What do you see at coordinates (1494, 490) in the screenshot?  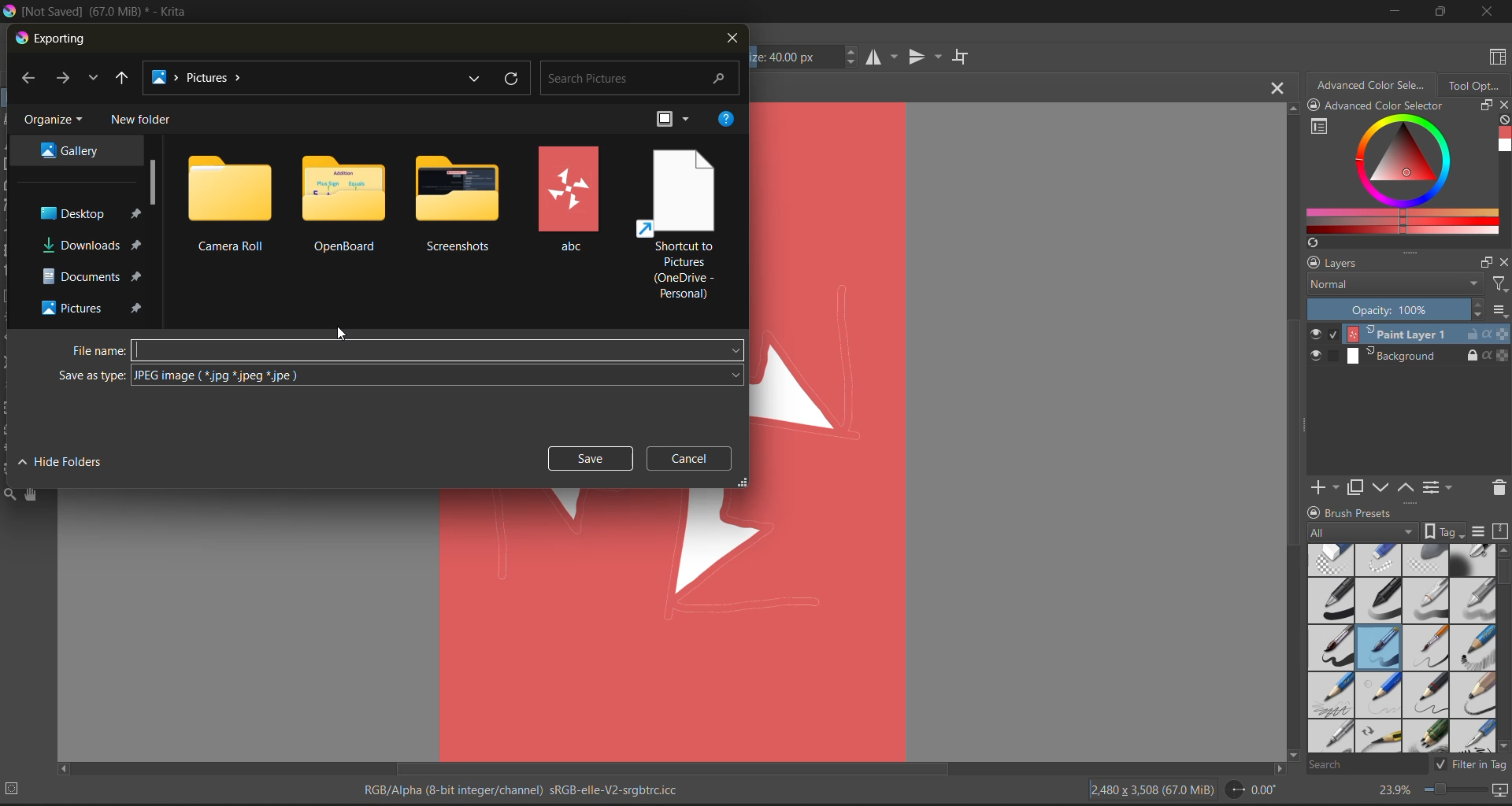 I see `delete the layer or mask` at bounding box center [1494, 490].